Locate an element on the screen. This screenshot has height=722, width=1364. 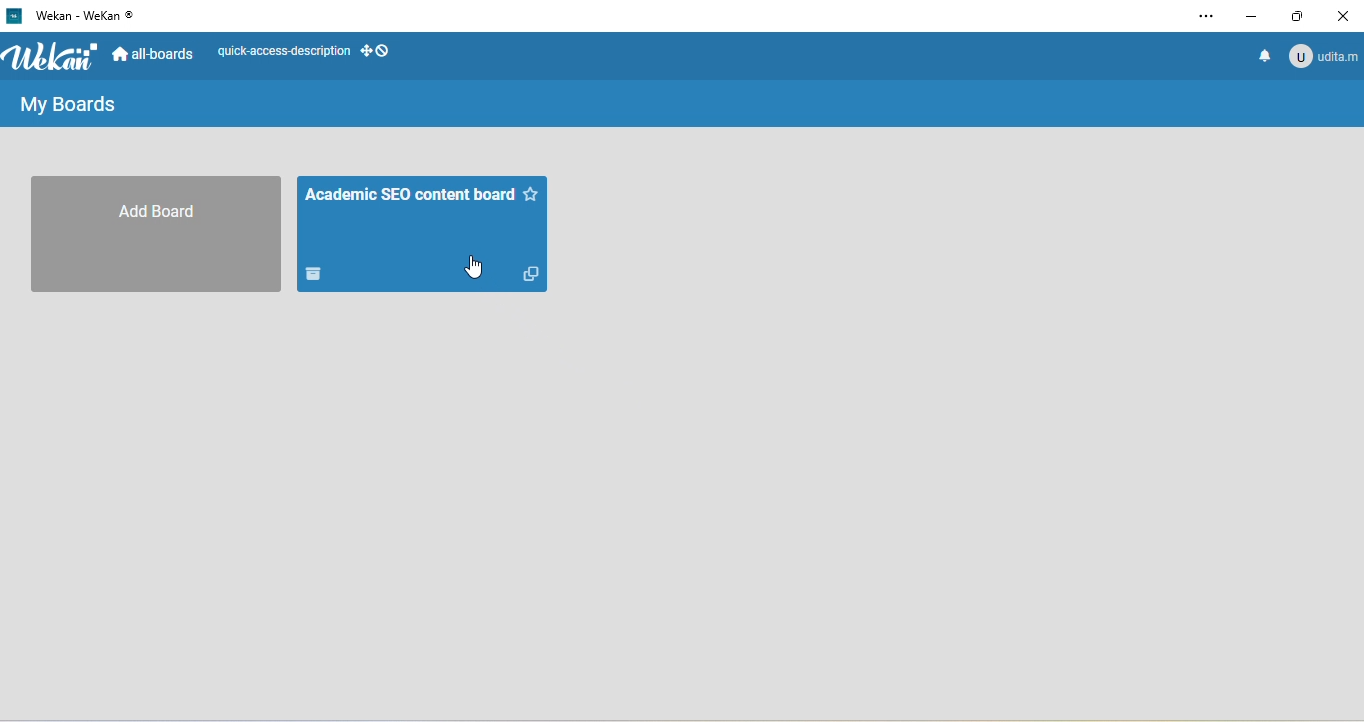
notification is located at coordinates (1260, 60).